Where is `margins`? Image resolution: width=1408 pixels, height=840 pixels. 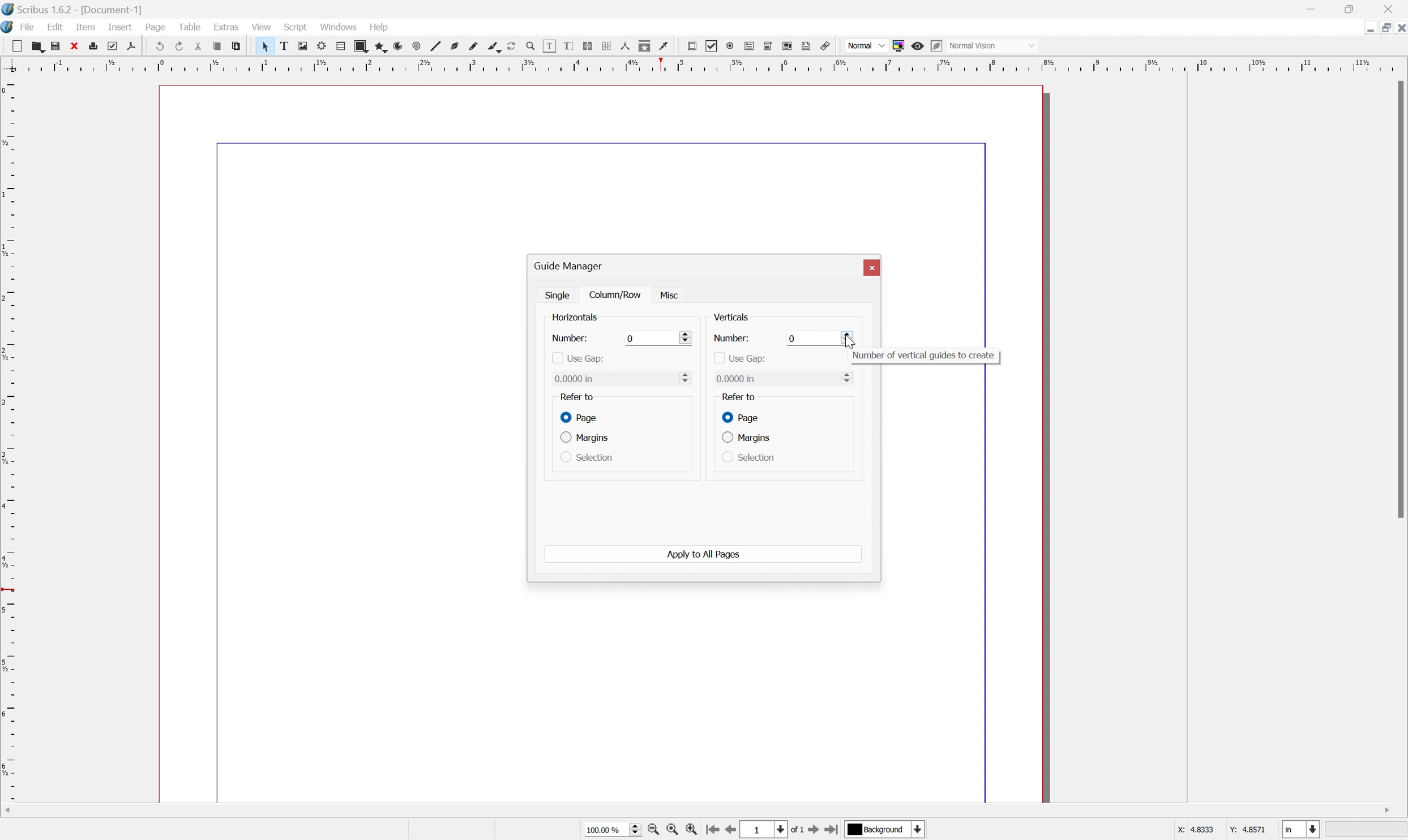
margins is located at coordinates (747, 437).